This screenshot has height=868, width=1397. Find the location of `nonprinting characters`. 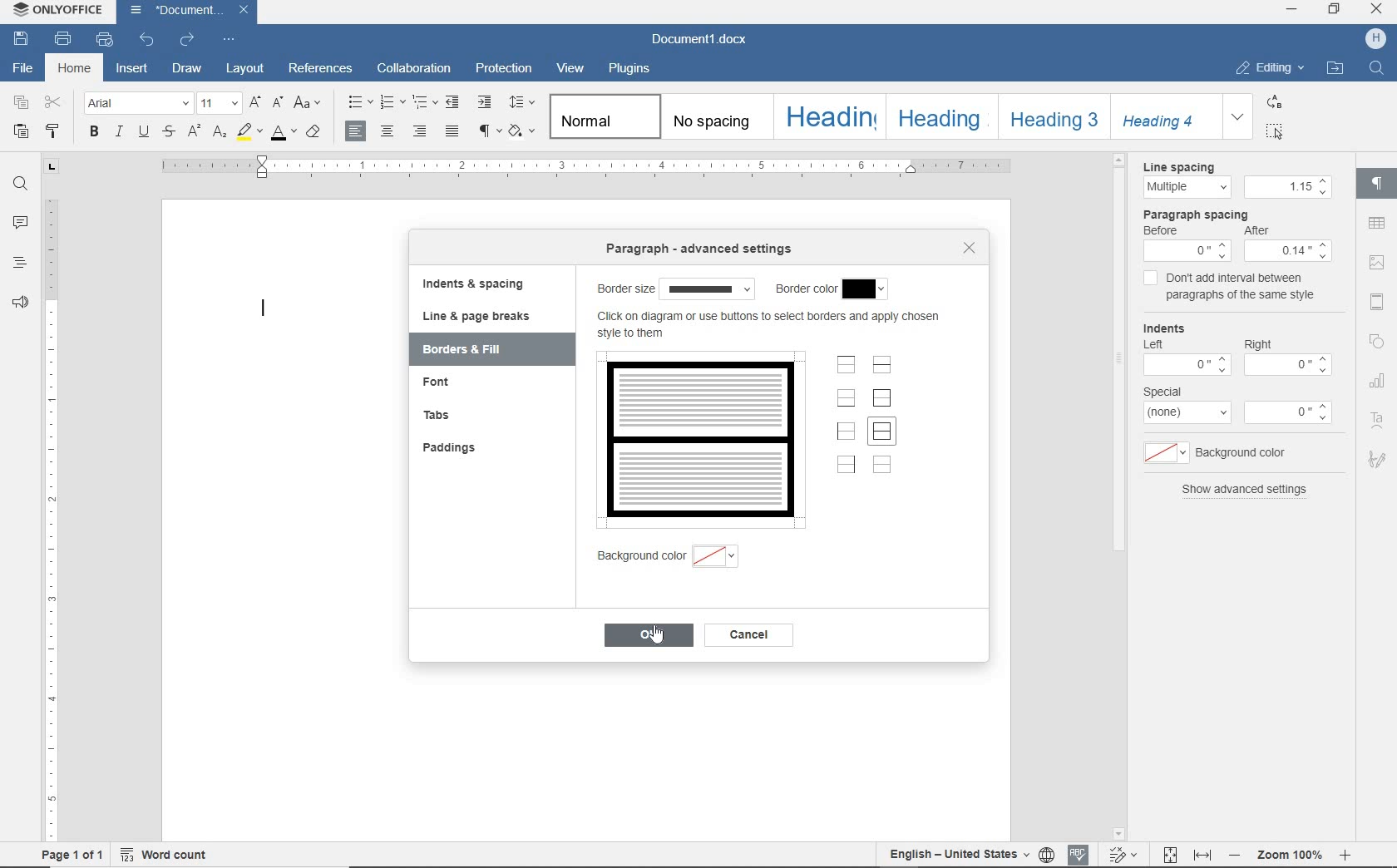

nonprinting characters is located at coordinates (488, 132).